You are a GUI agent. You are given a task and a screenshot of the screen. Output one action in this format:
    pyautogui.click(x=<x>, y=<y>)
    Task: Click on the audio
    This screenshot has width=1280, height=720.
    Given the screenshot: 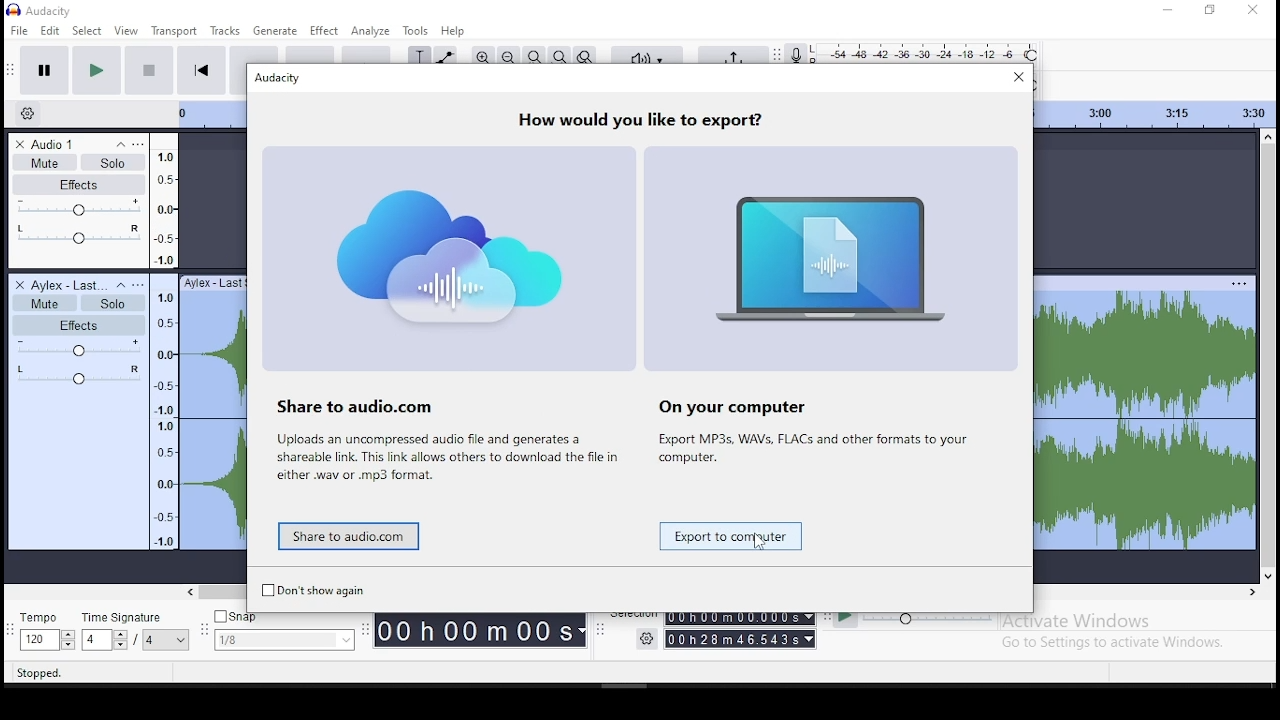 What is the action you would take?
    pyautogui.click(x=212, y=412)
    